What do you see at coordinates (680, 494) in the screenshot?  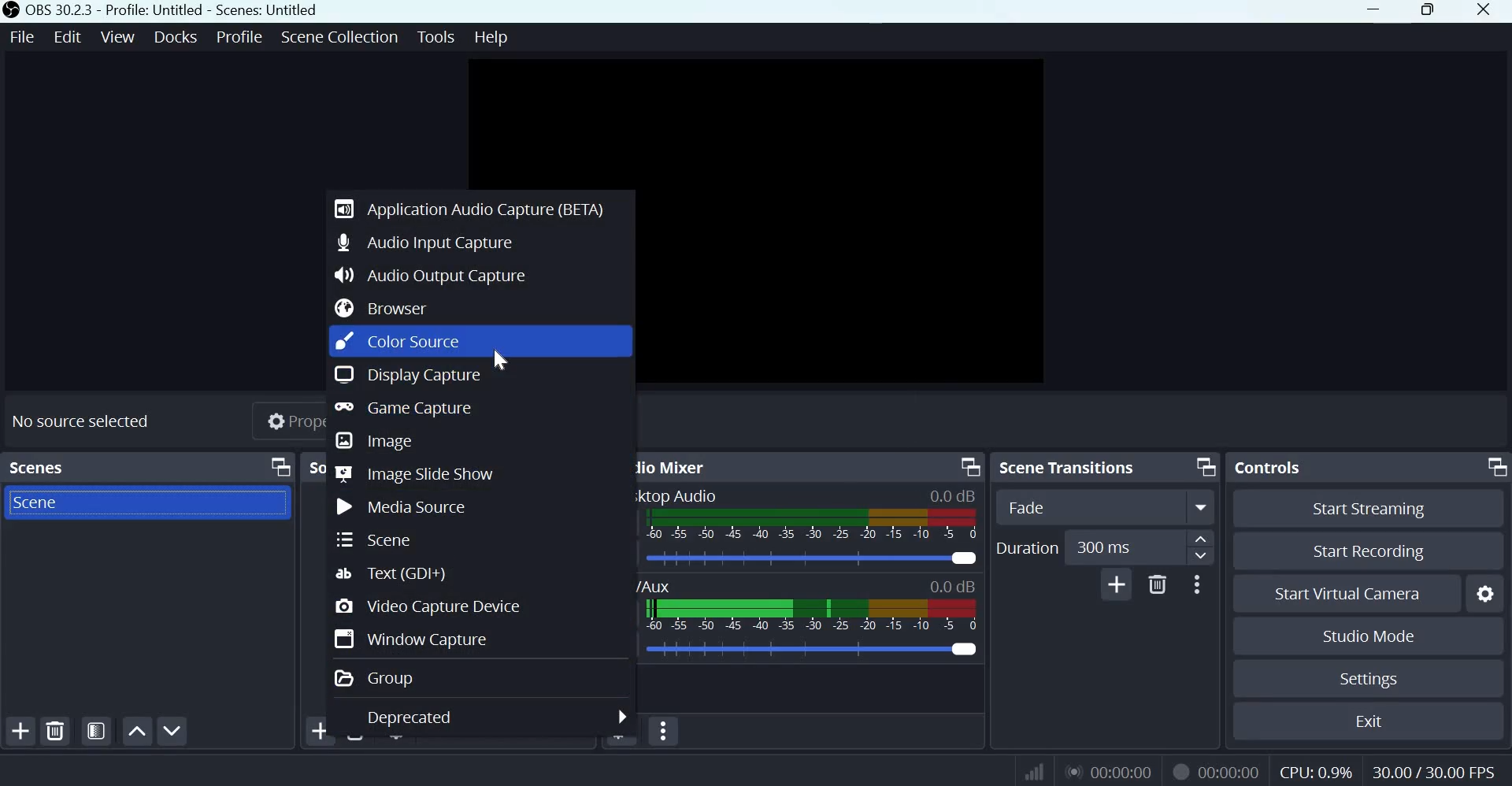 I see `Desktop Audio` at bounding box center [680, 494].